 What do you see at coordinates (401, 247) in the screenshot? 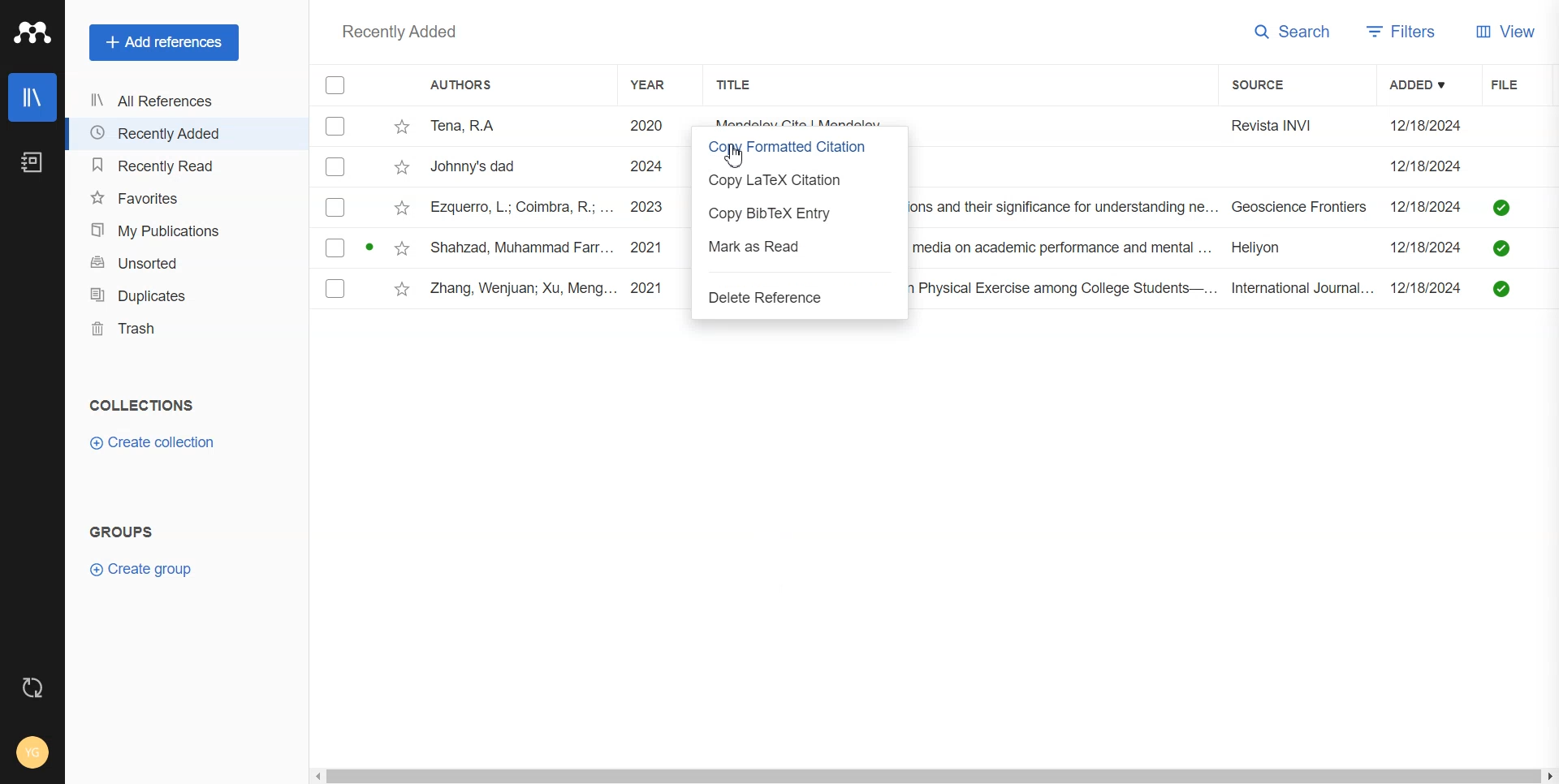
I see `Star` at bounding box center [401, 247].